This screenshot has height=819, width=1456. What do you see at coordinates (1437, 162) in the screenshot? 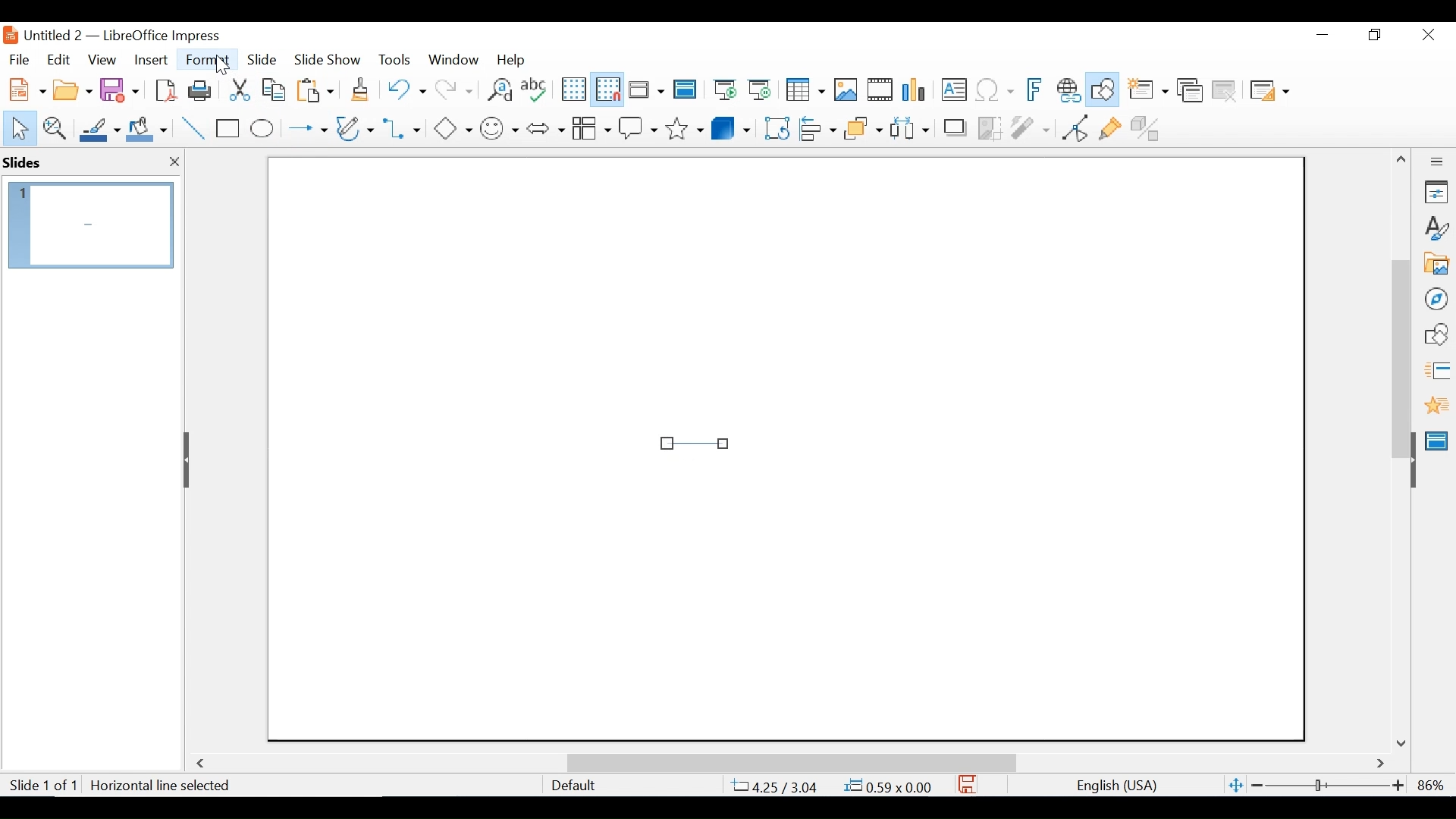
I see `Sidebar Settings` at bounding box center [1437, 162].